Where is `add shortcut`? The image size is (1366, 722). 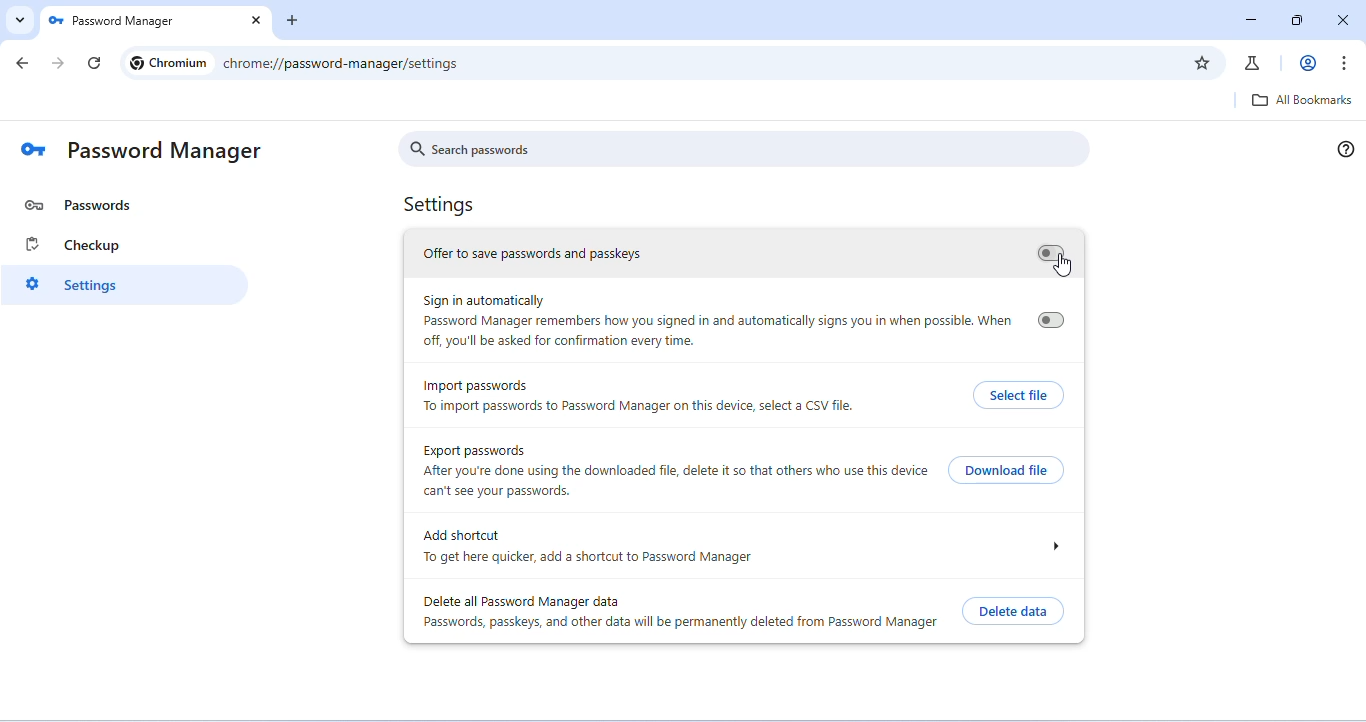 add shortcut is located at coordinates (464, 534).